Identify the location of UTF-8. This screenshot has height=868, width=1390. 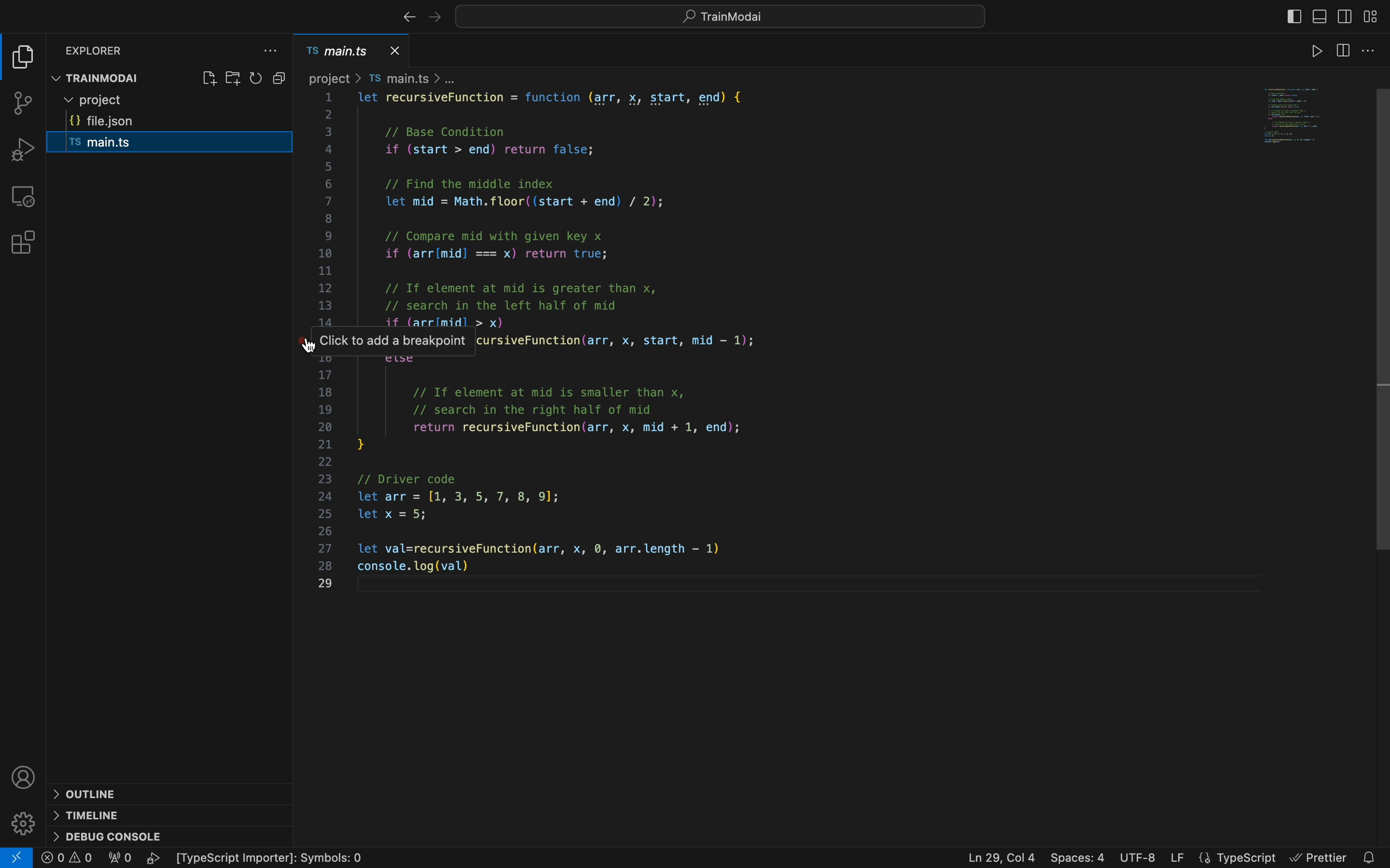
(1139, 855).